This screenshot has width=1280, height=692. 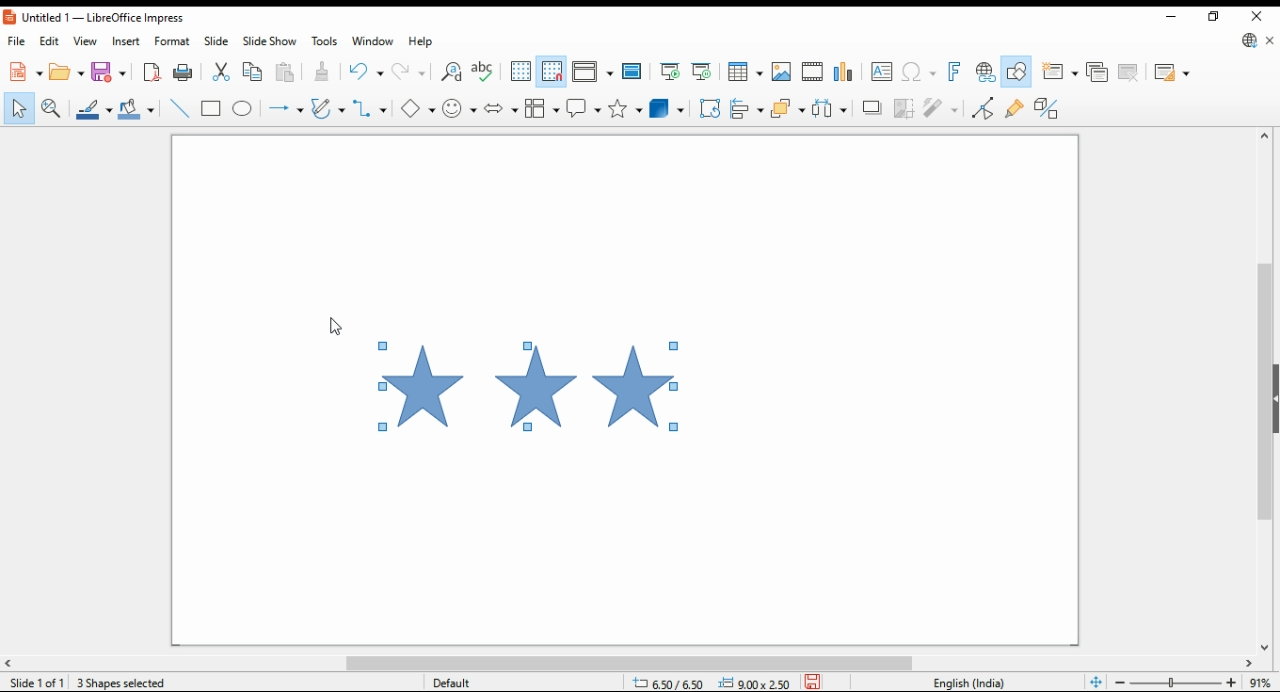 I want to click on insert tables, so click(x=746, y=70).